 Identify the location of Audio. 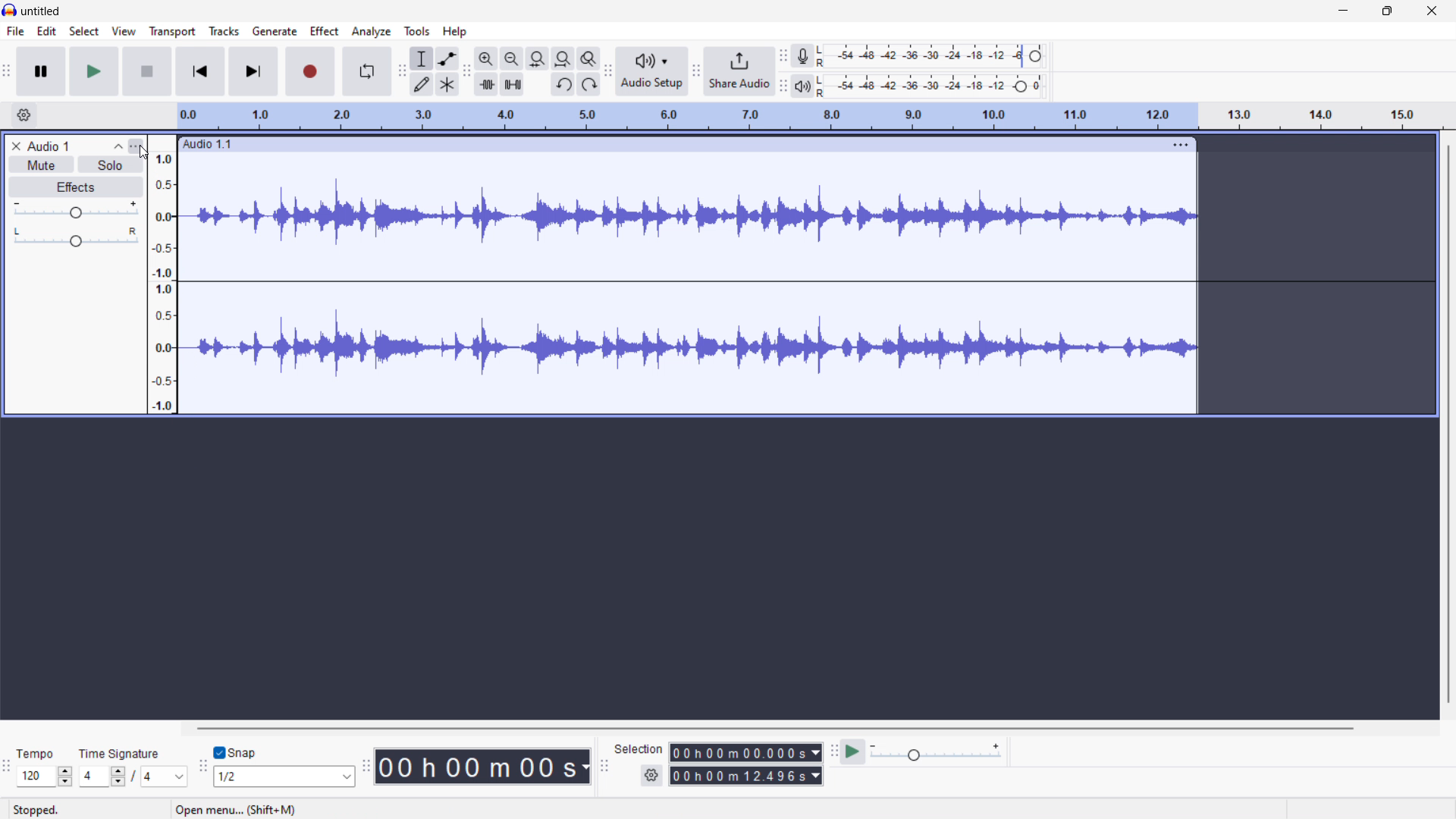
(49, 146).